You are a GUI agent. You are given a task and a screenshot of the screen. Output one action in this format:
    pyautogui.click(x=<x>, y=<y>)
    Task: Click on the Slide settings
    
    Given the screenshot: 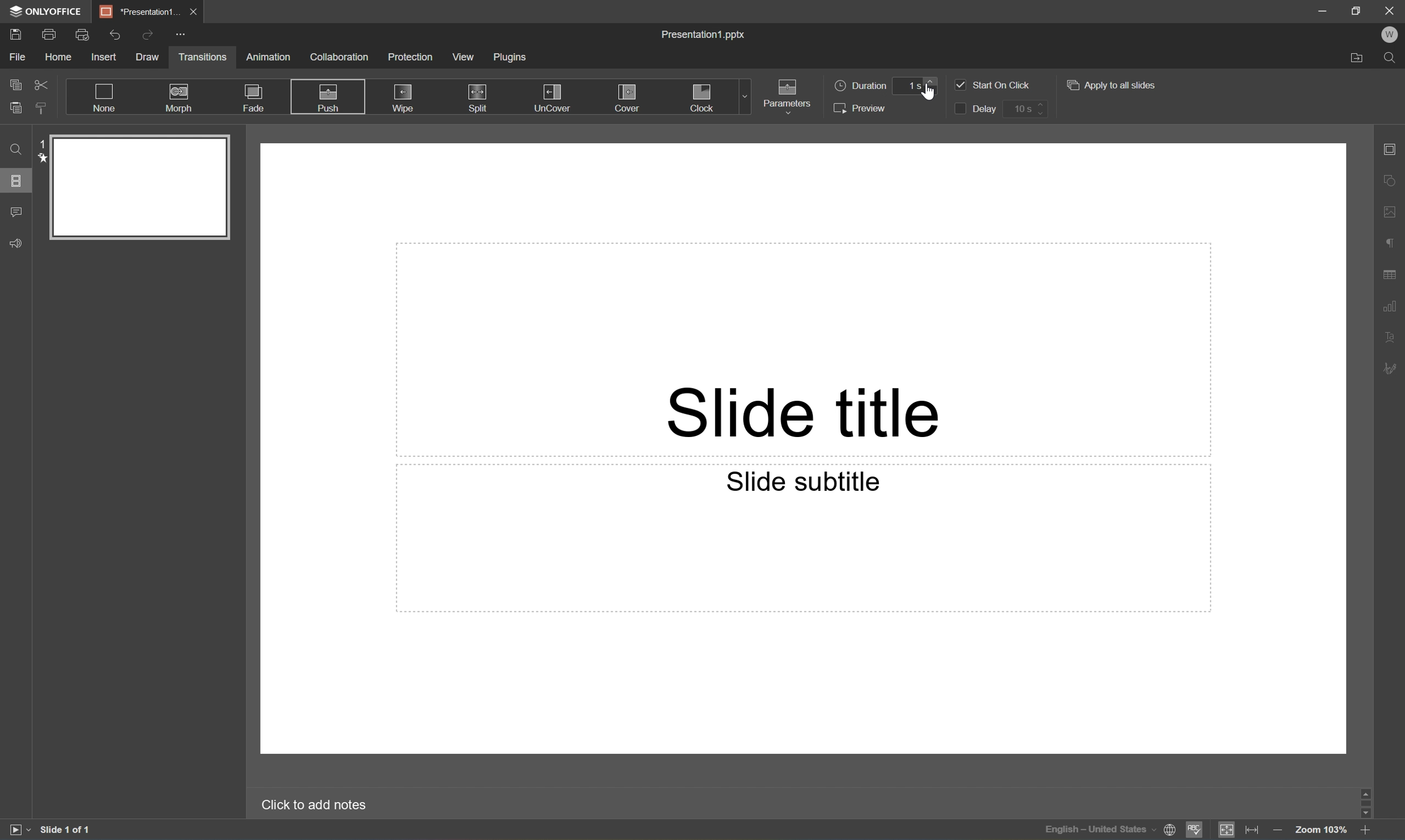 What is the action you would take?
    pyautogui.click(x=1391, y=149)
    